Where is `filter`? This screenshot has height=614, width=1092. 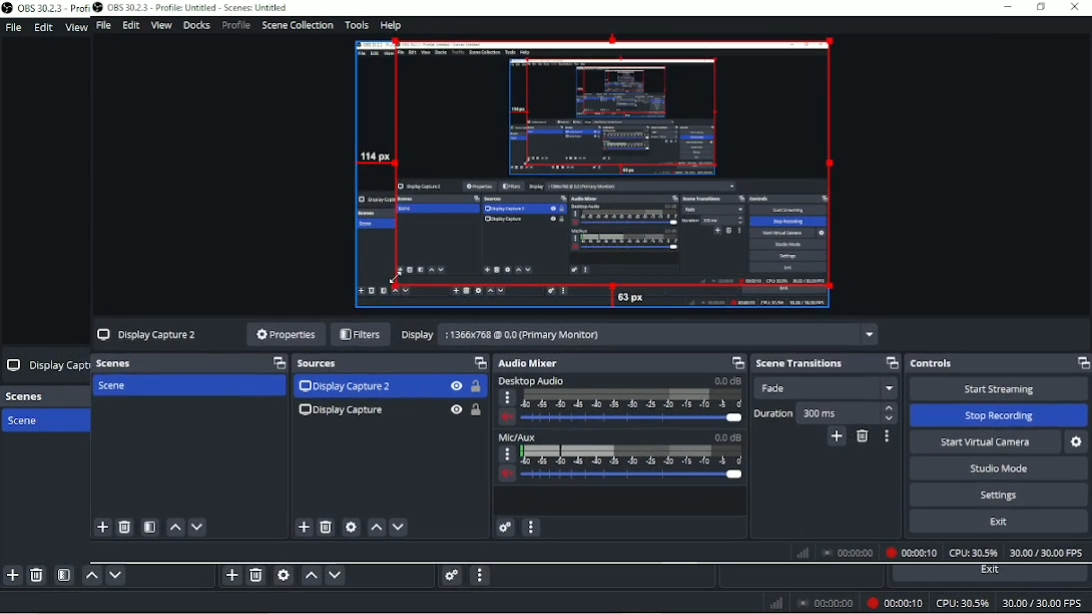 filter is located at coordinates (153, 529).